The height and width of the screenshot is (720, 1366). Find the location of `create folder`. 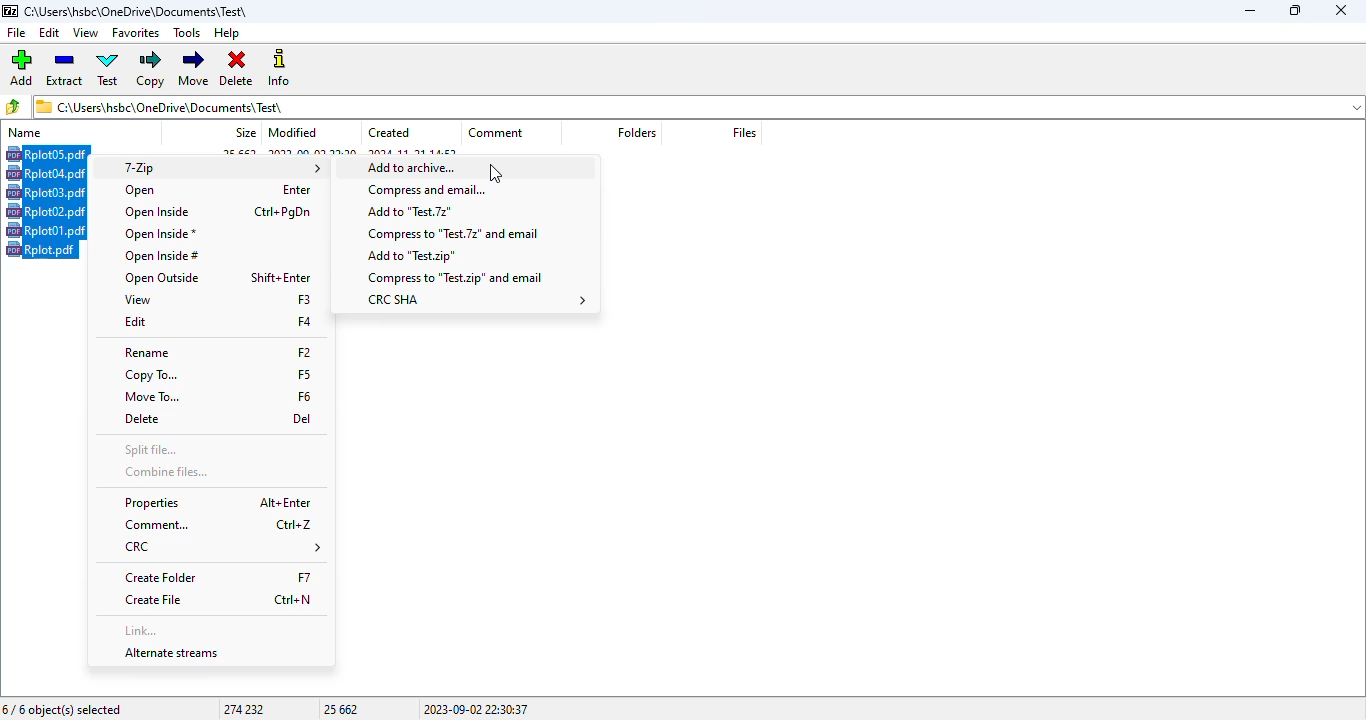

create folder is located at coordinates (220, 578).